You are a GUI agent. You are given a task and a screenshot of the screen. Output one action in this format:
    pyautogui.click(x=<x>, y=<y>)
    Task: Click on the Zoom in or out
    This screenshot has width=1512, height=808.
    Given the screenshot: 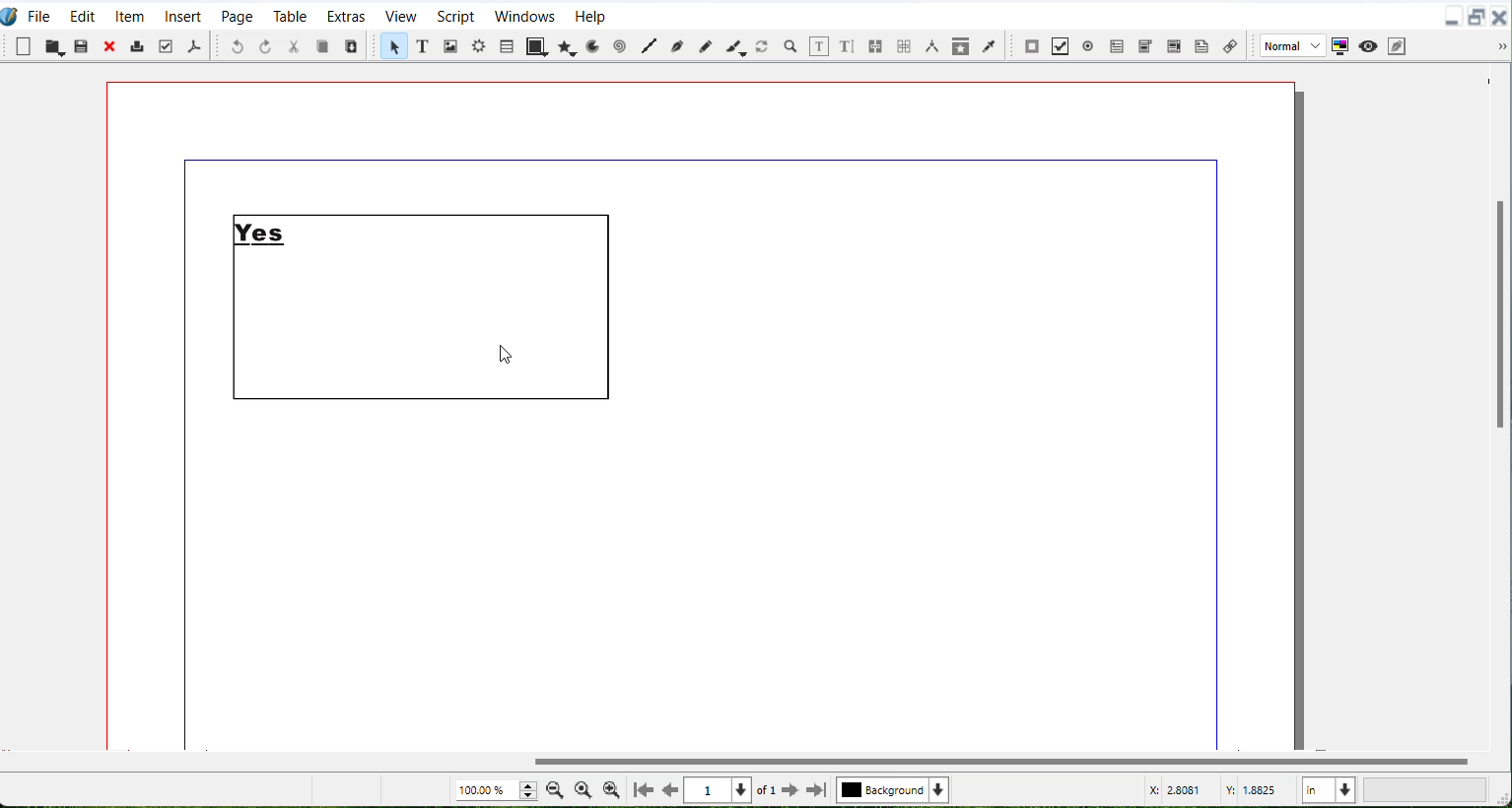 What is the action you would take?
    pyautogui.click(x=791, y=46)
    